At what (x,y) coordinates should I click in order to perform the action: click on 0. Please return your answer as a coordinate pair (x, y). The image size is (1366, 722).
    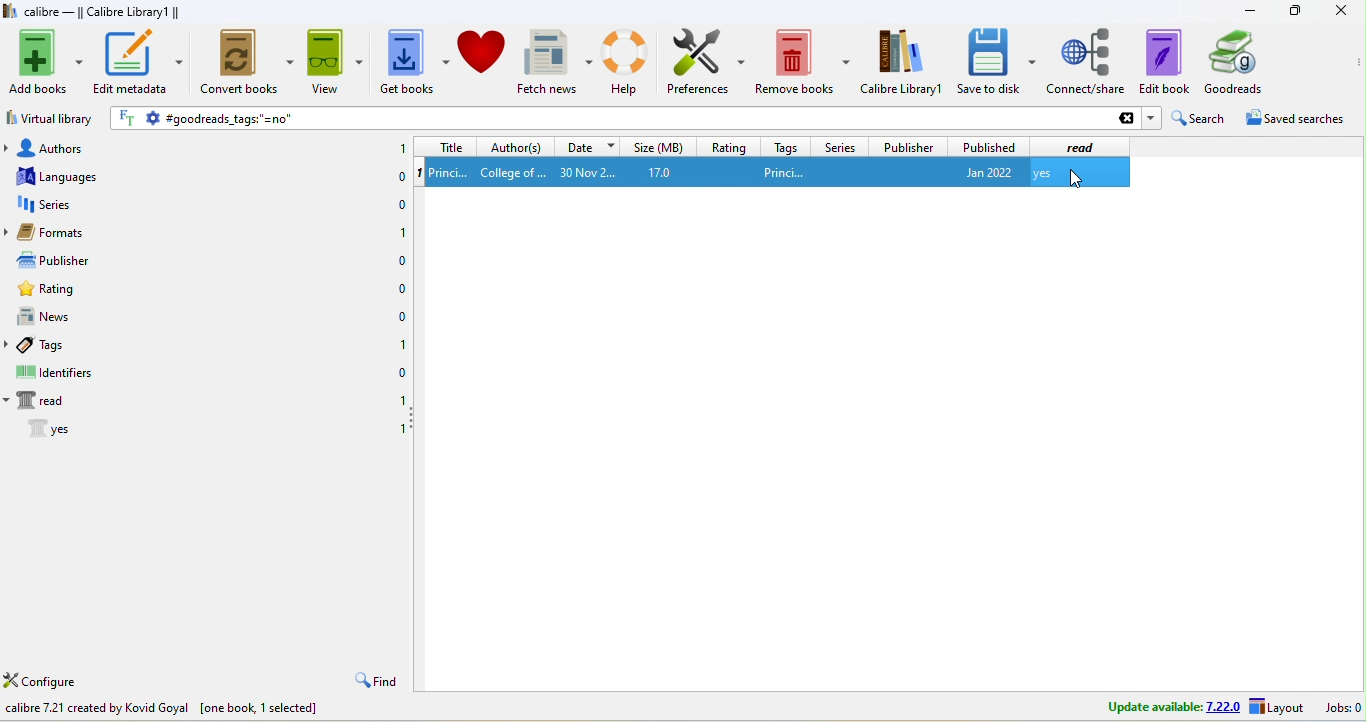
    Looking at the image, I should click on (401, 398).